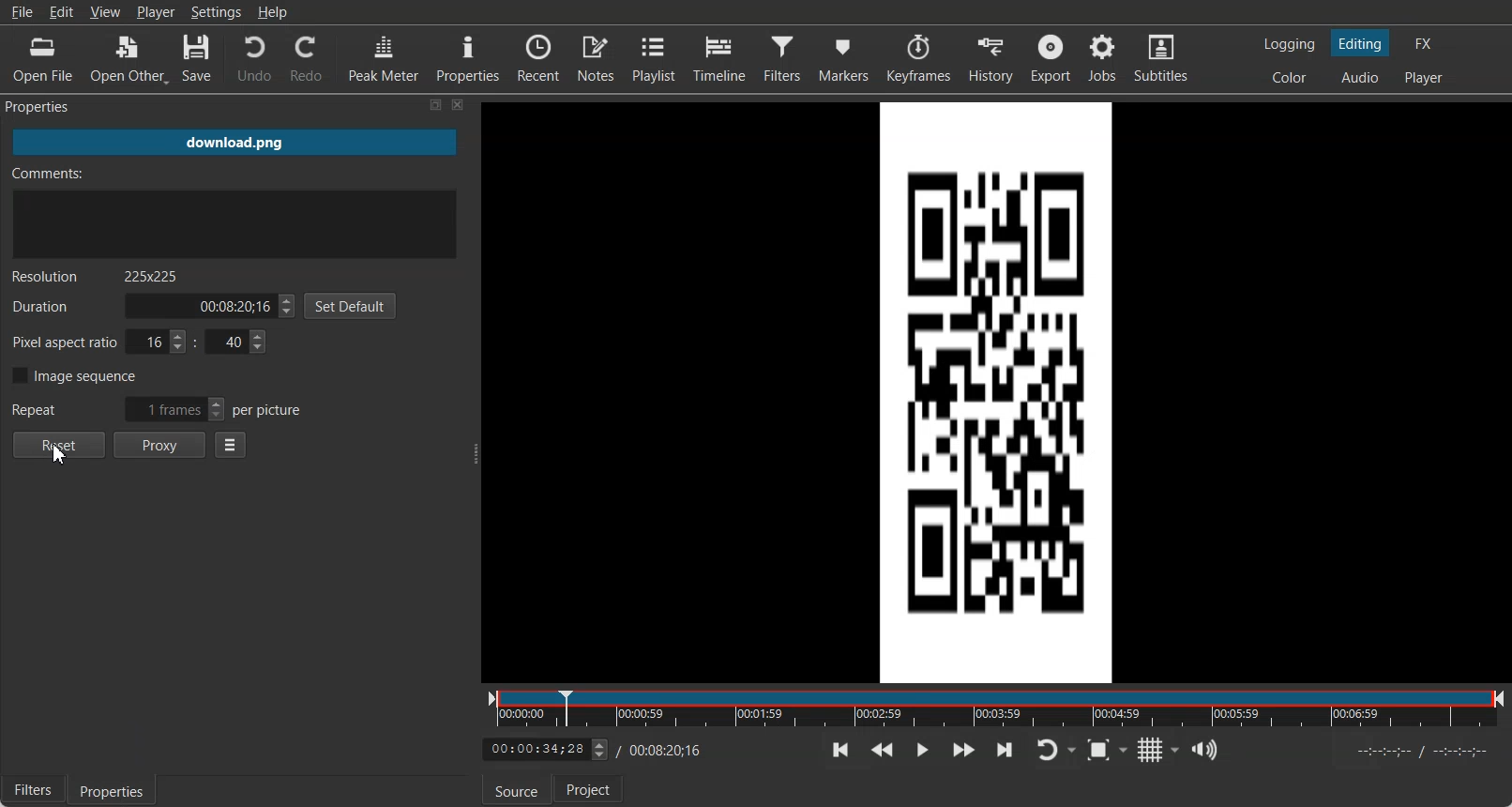  What do you see at coordinates (922, 749) in the screenshot?
I see `Toggle play or Pause` at bounding box center [922, 749].